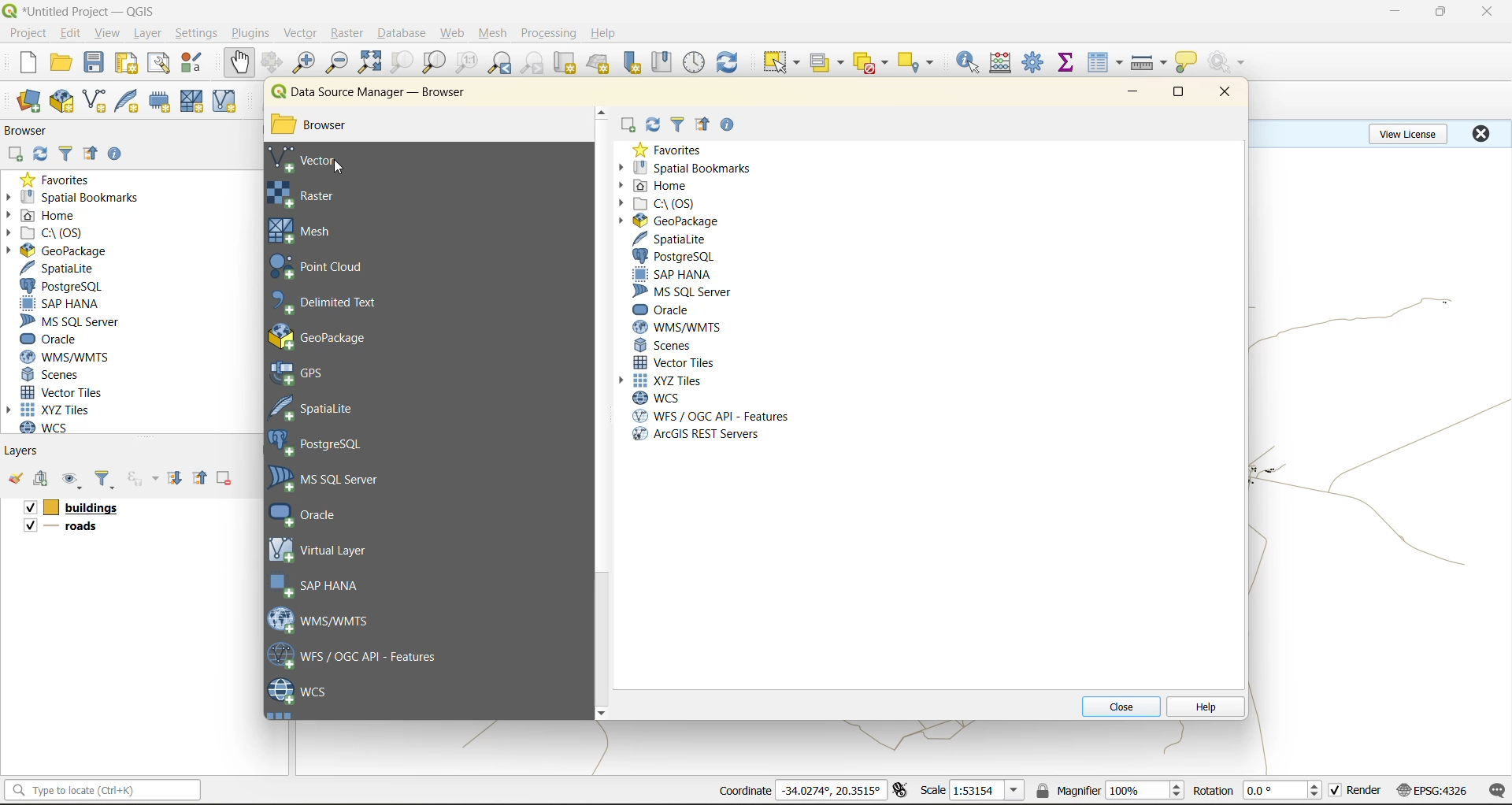  What do you see at coordinates (318, 586) in the screenshot?
I see `sap hana` at bounding box center [318, 586].